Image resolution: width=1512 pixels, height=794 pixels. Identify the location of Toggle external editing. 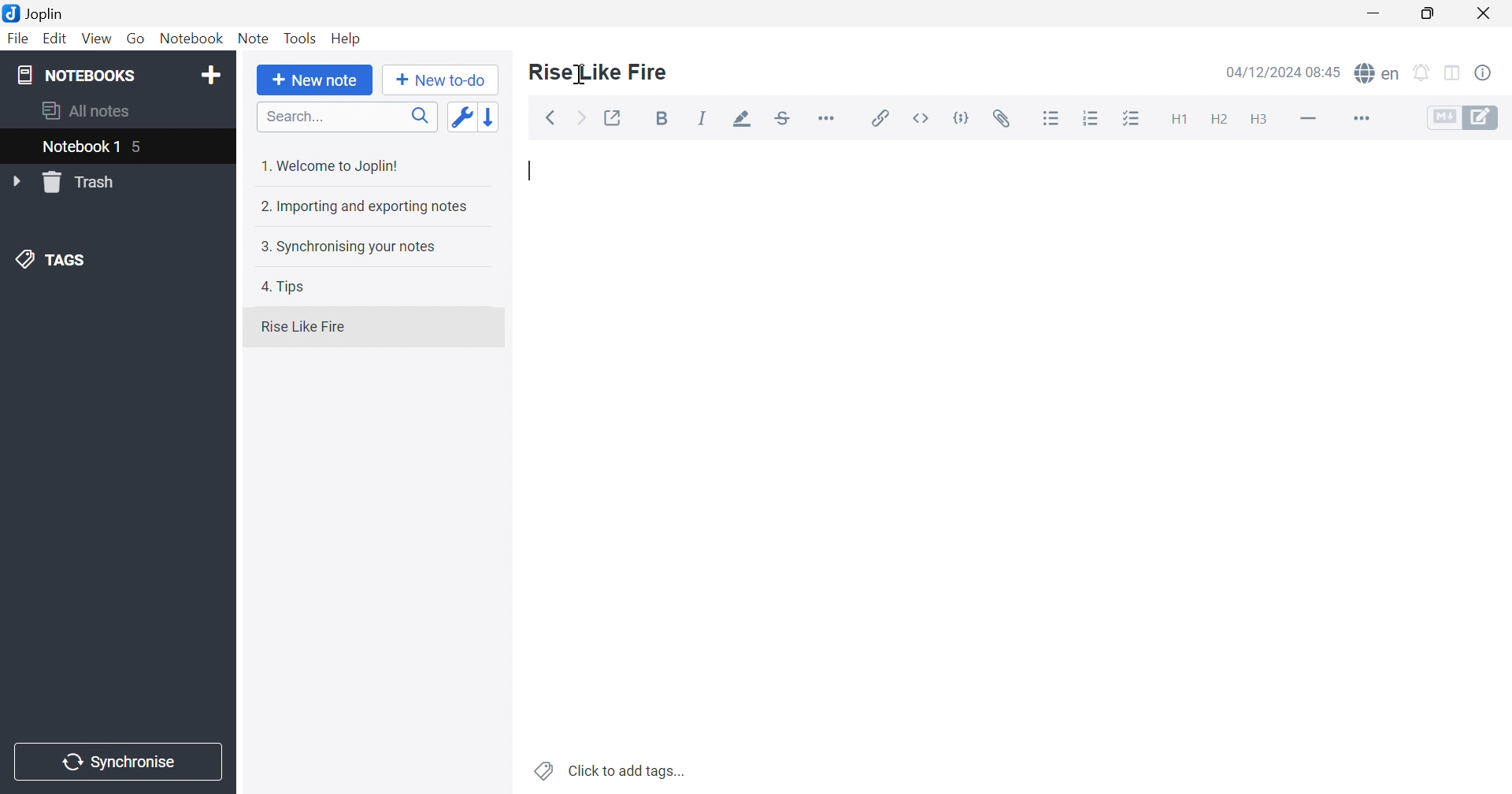
(613, 117).